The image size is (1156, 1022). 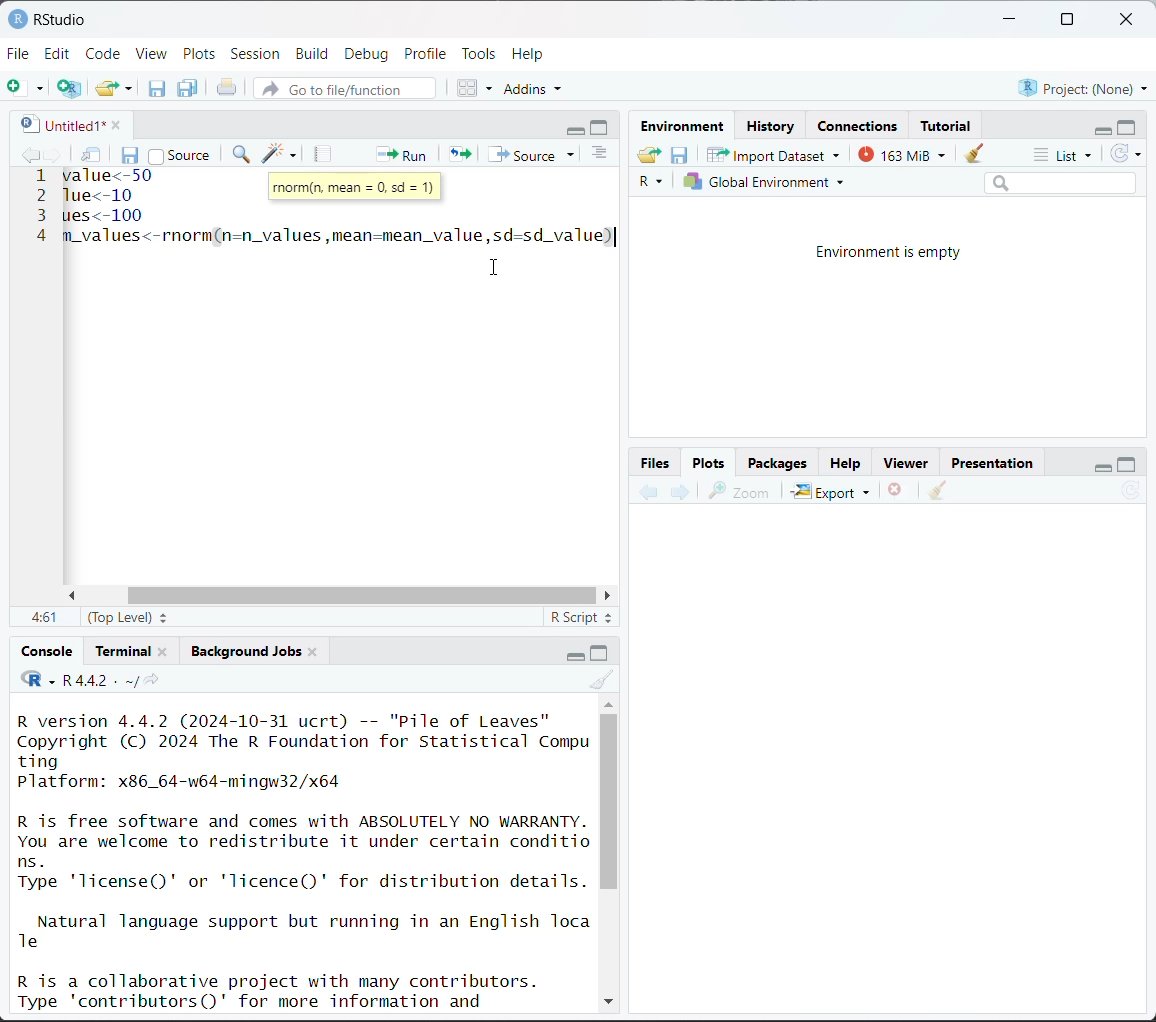 I want to click on Environment, so click(x=686, y=127).